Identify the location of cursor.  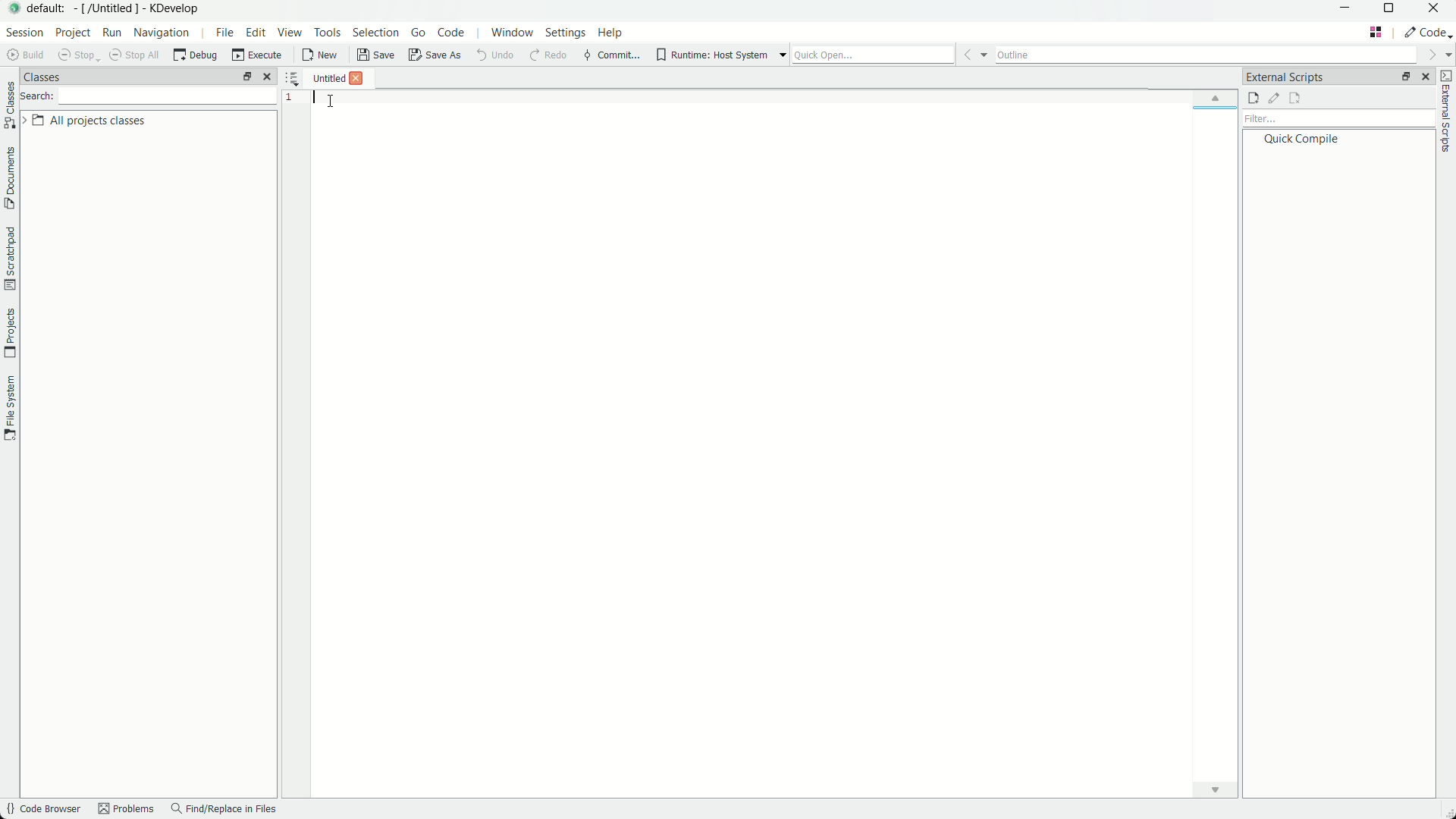
(330, 99).